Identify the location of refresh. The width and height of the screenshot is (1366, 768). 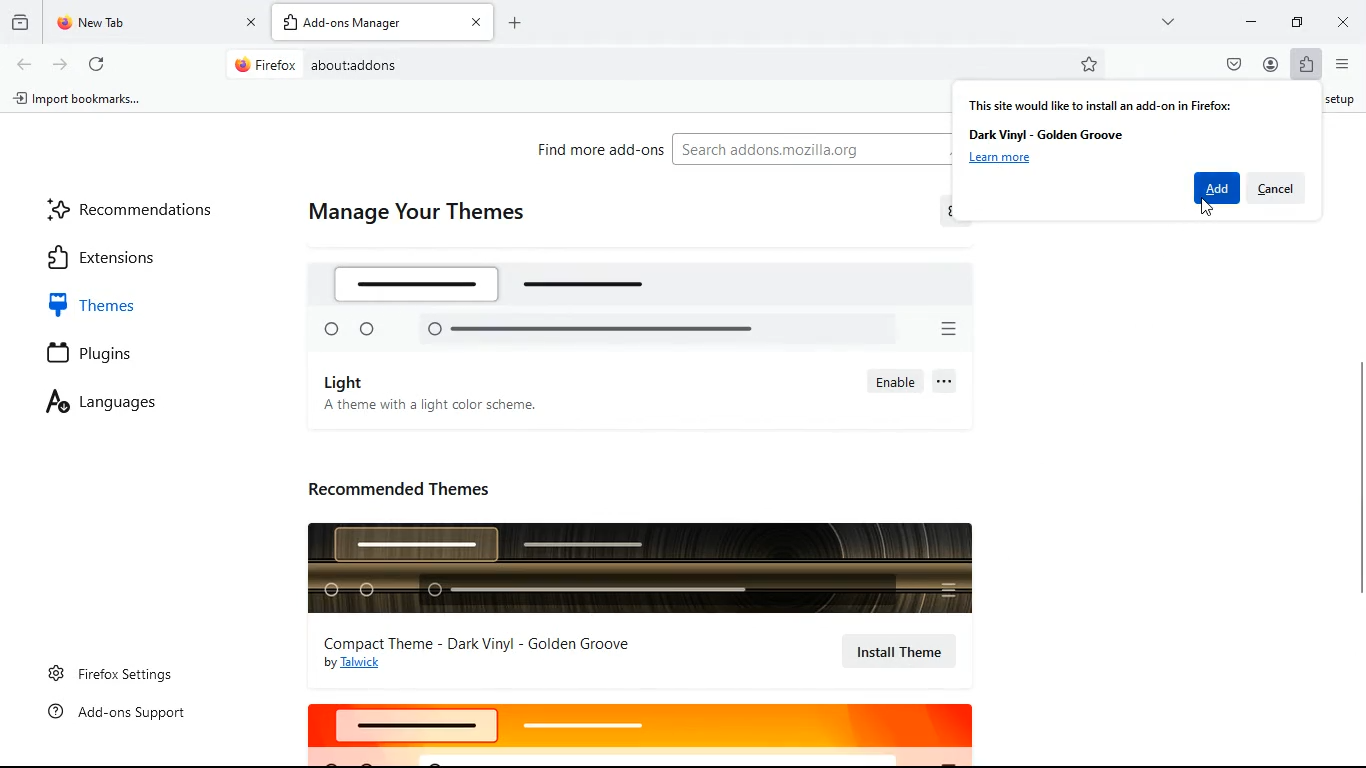
(98, 66).